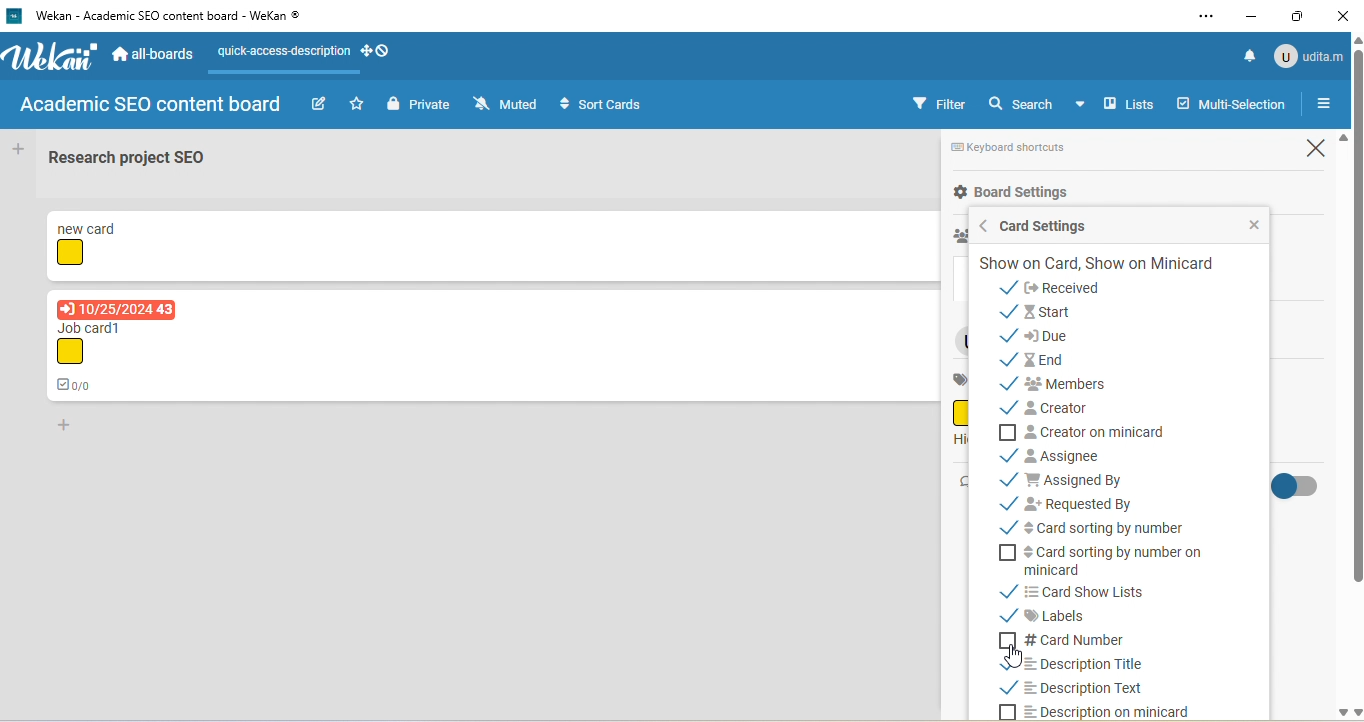  Describe the element at coordinates (1064, 336) in the screenshot. I see `due` at that location.